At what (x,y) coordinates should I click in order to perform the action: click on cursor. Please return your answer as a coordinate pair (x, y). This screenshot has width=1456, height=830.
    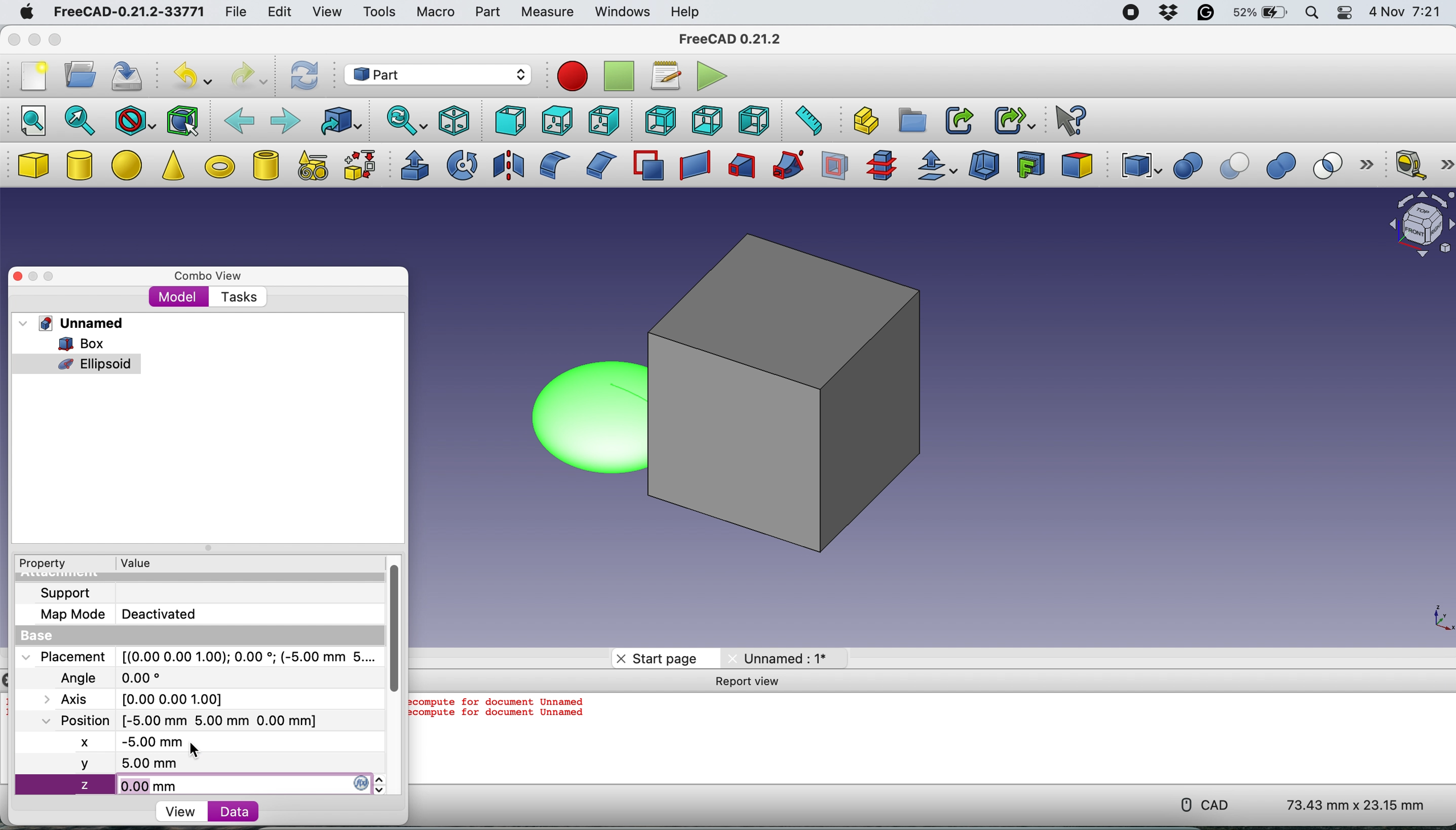
    Looking at the image, I should click on (195, 750).